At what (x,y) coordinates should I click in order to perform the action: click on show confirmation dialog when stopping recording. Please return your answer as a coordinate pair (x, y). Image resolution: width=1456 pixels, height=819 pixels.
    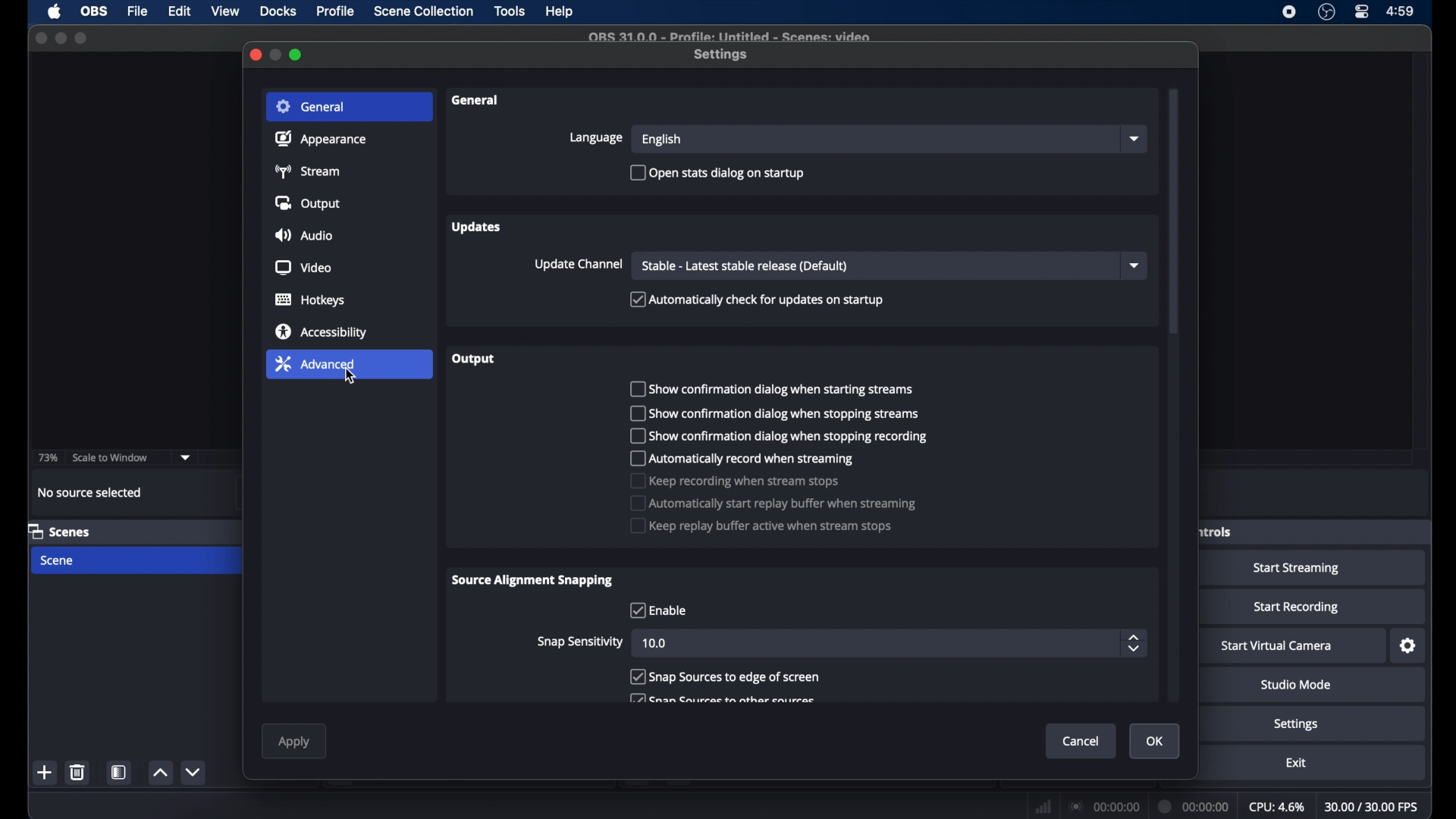
    Looking at the image, I should click on (779, 436).